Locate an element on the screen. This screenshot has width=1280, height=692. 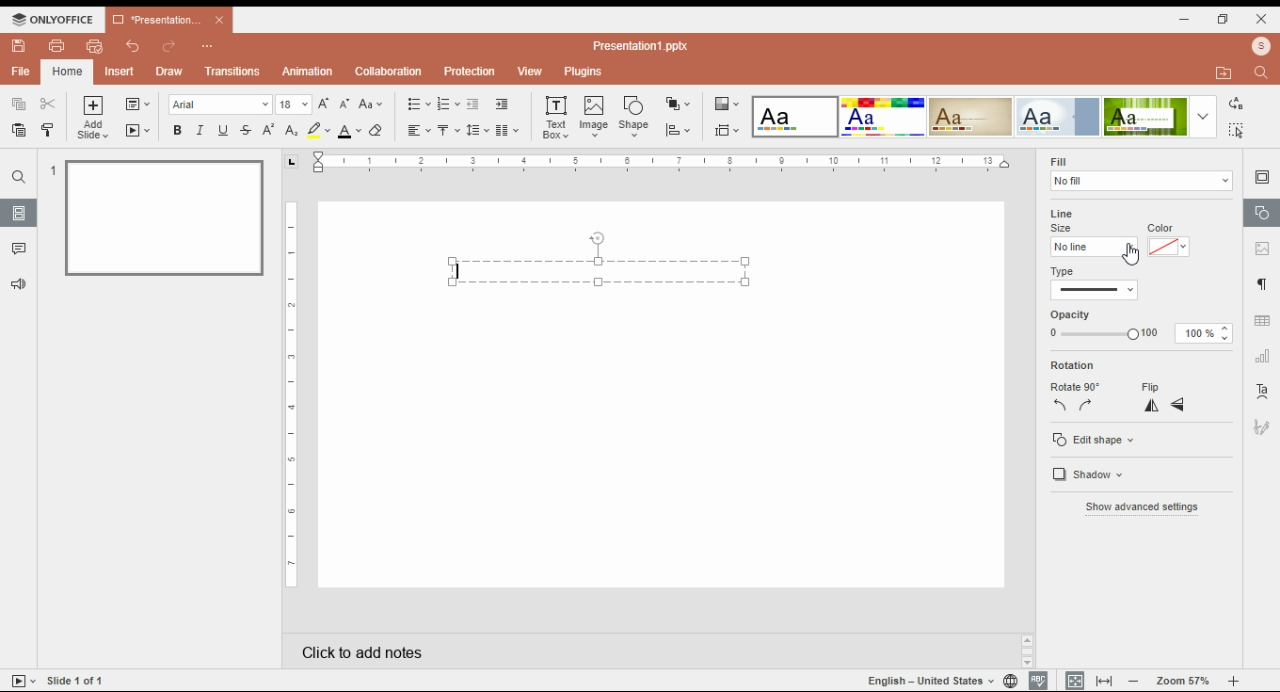
fill selector is located at coordinates (1142, 181).